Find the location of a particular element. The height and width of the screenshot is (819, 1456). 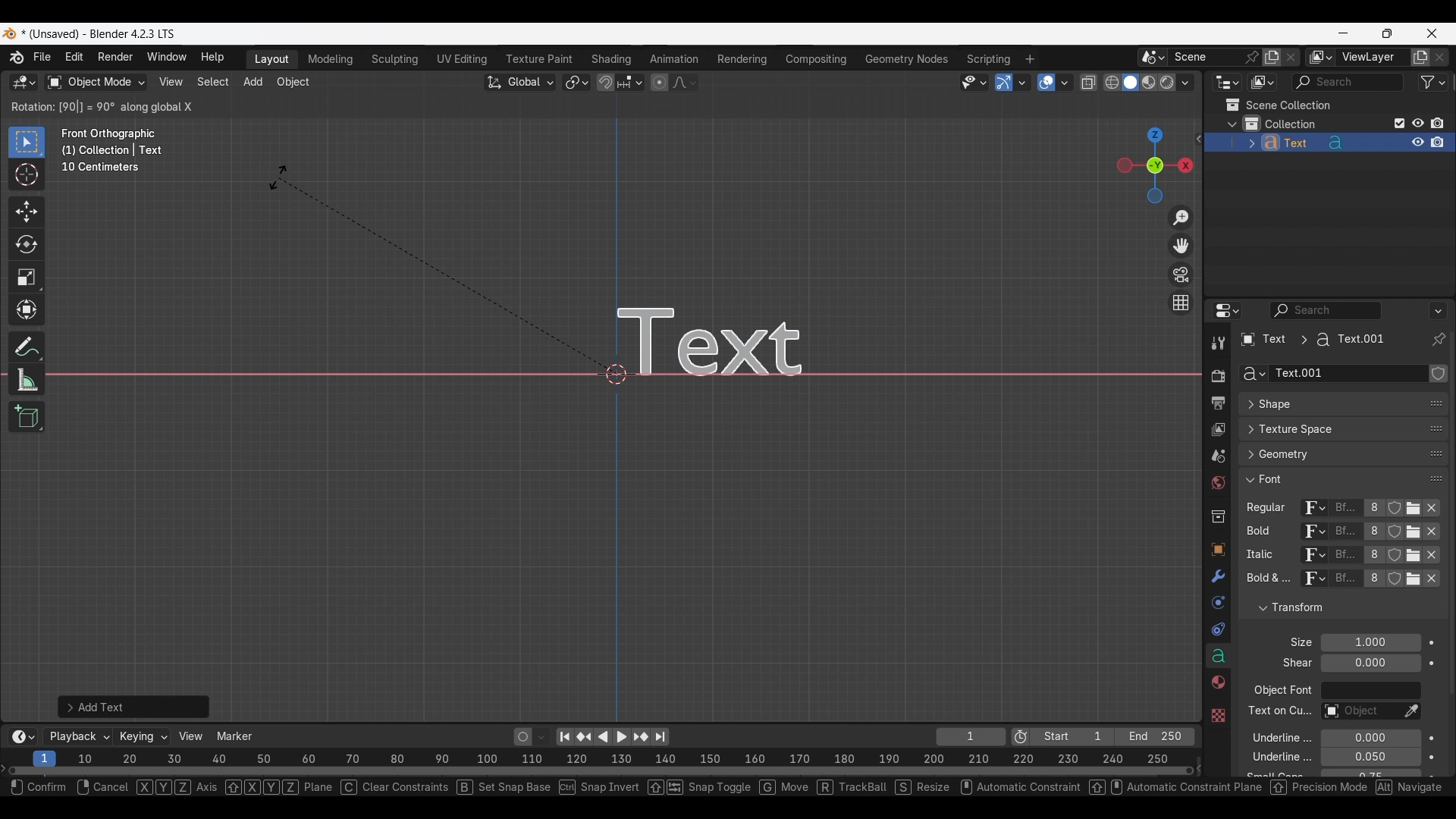

Display filter is located at coordinates (1326, 310).